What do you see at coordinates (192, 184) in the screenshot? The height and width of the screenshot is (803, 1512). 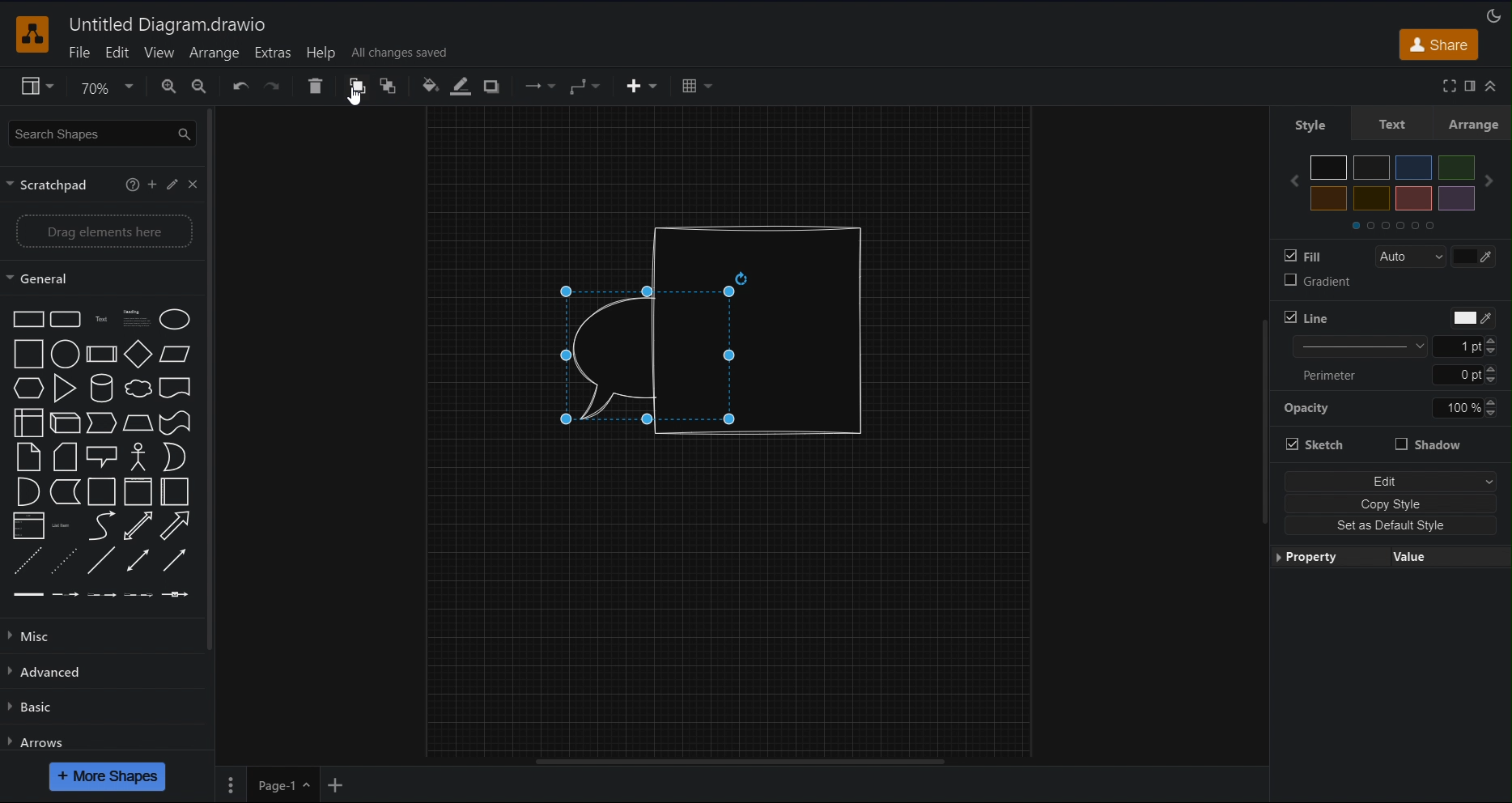 I see `Close scratchpad` at bounding box center [192, 184].